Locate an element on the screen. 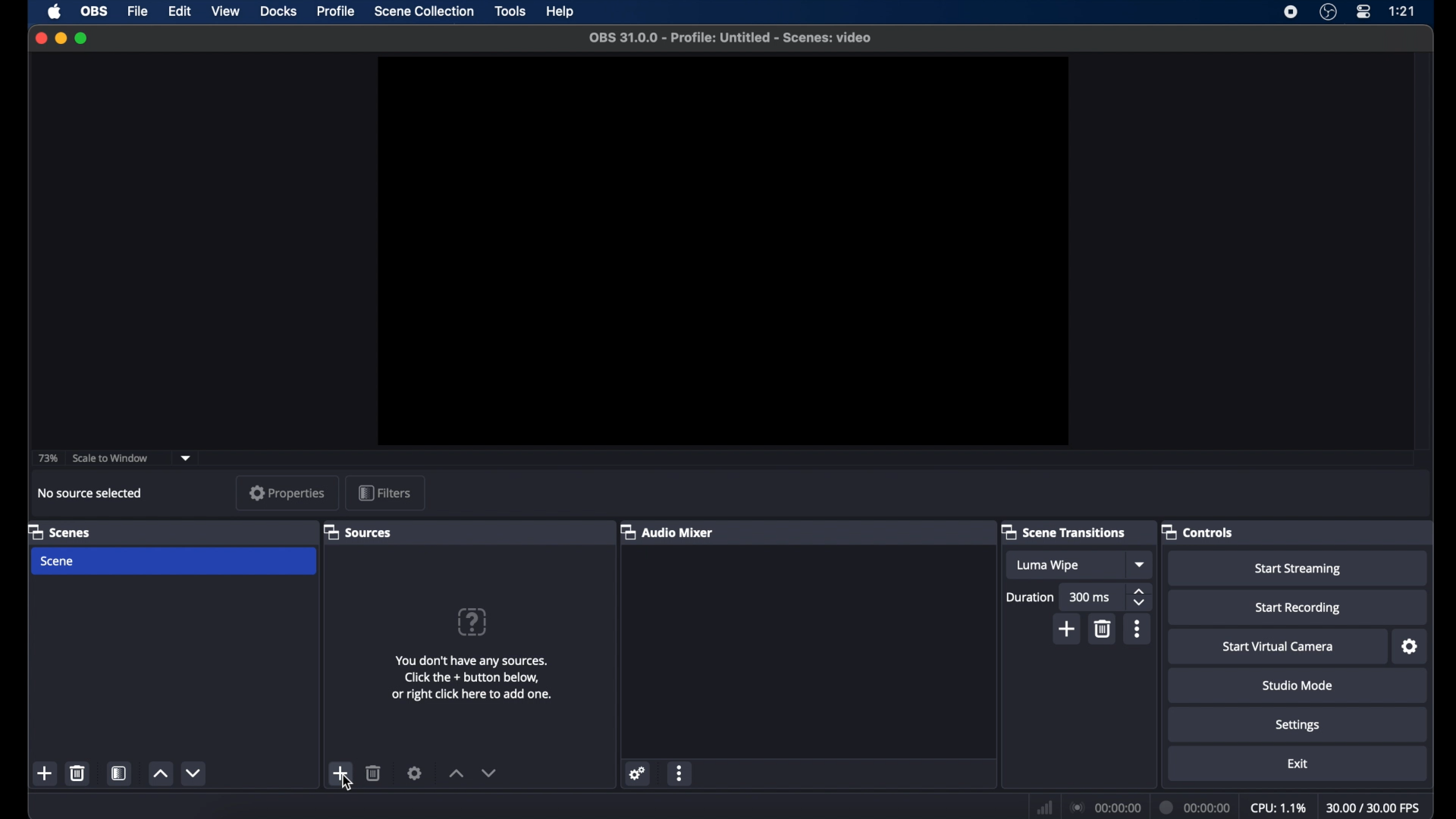 The height and width of the screenshot is (819, 1456). control center is located at coordinates (1364, 11).